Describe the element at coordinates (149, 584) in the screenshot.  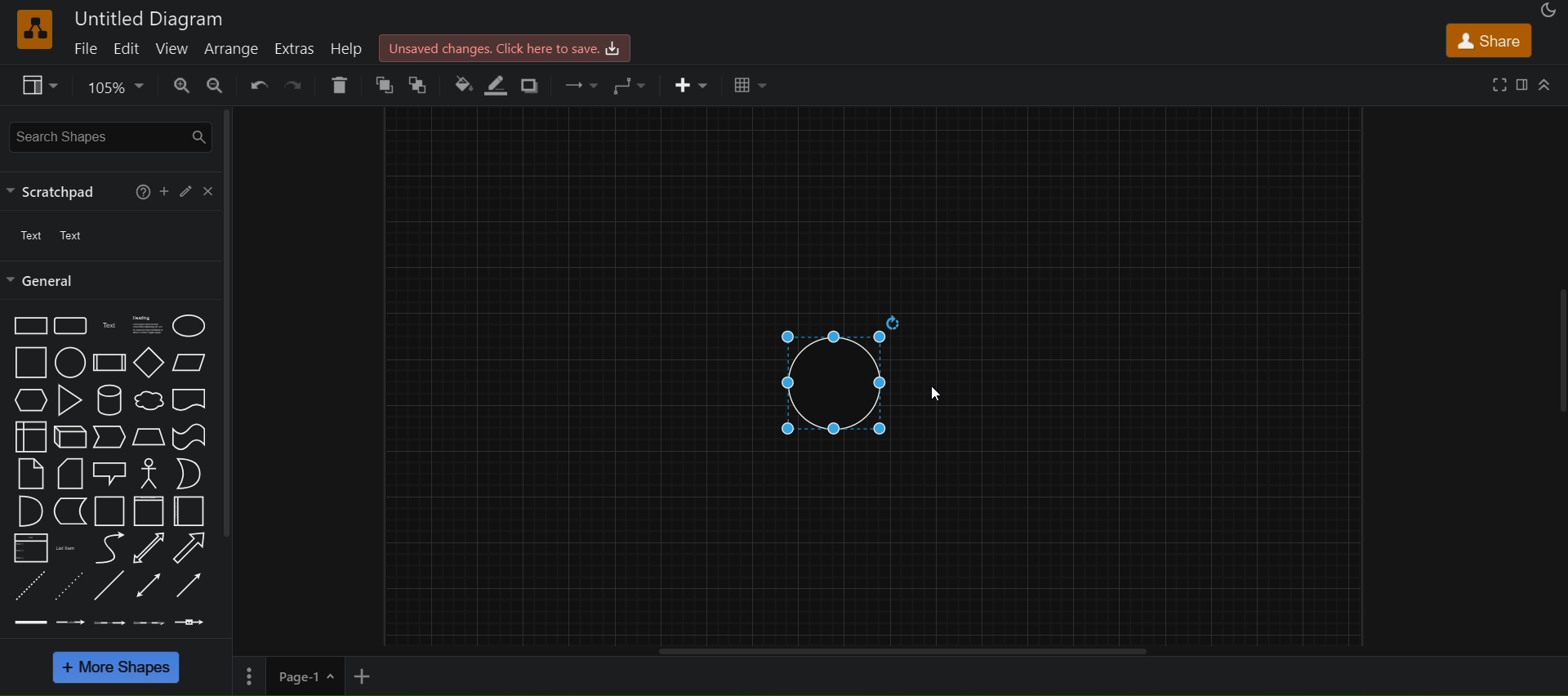
I see `bidirectional connector` at that location.